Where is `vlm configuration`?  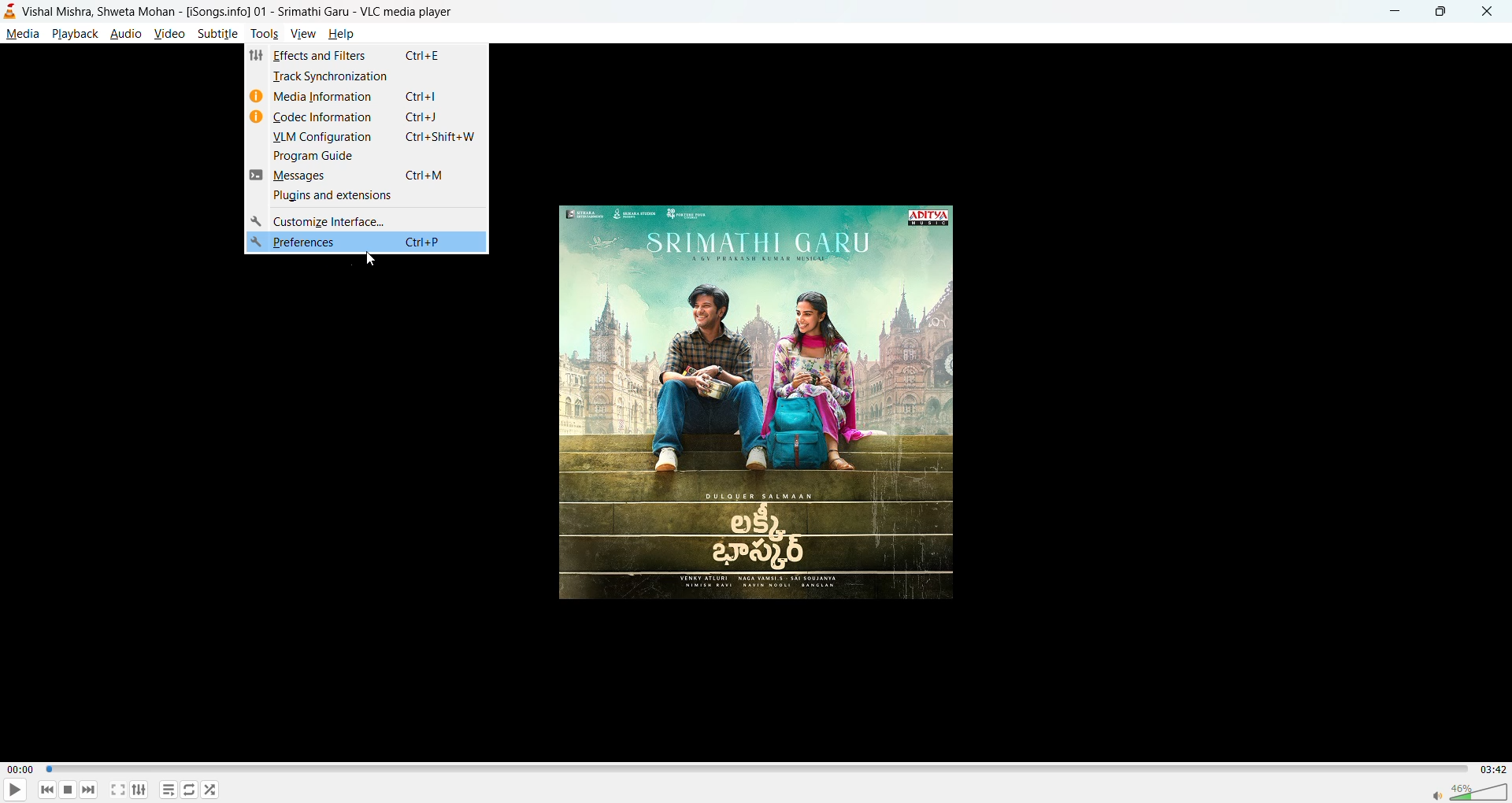
vlm configuration is located at coordinates (321, 137).